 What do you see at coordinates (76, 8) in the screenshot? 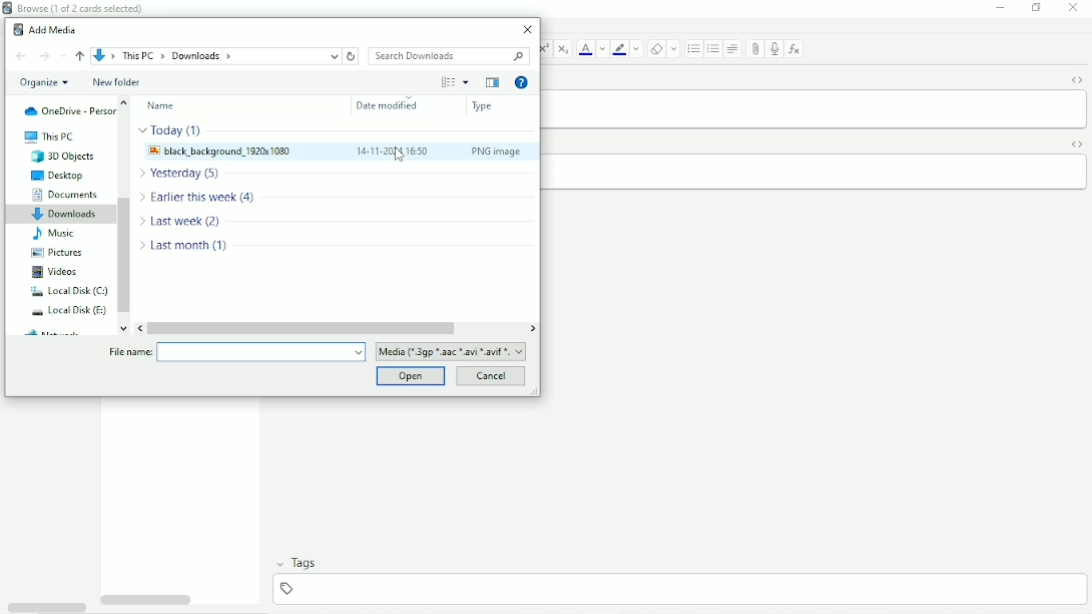
I see `Browse ` at bounding box center [76, 8].